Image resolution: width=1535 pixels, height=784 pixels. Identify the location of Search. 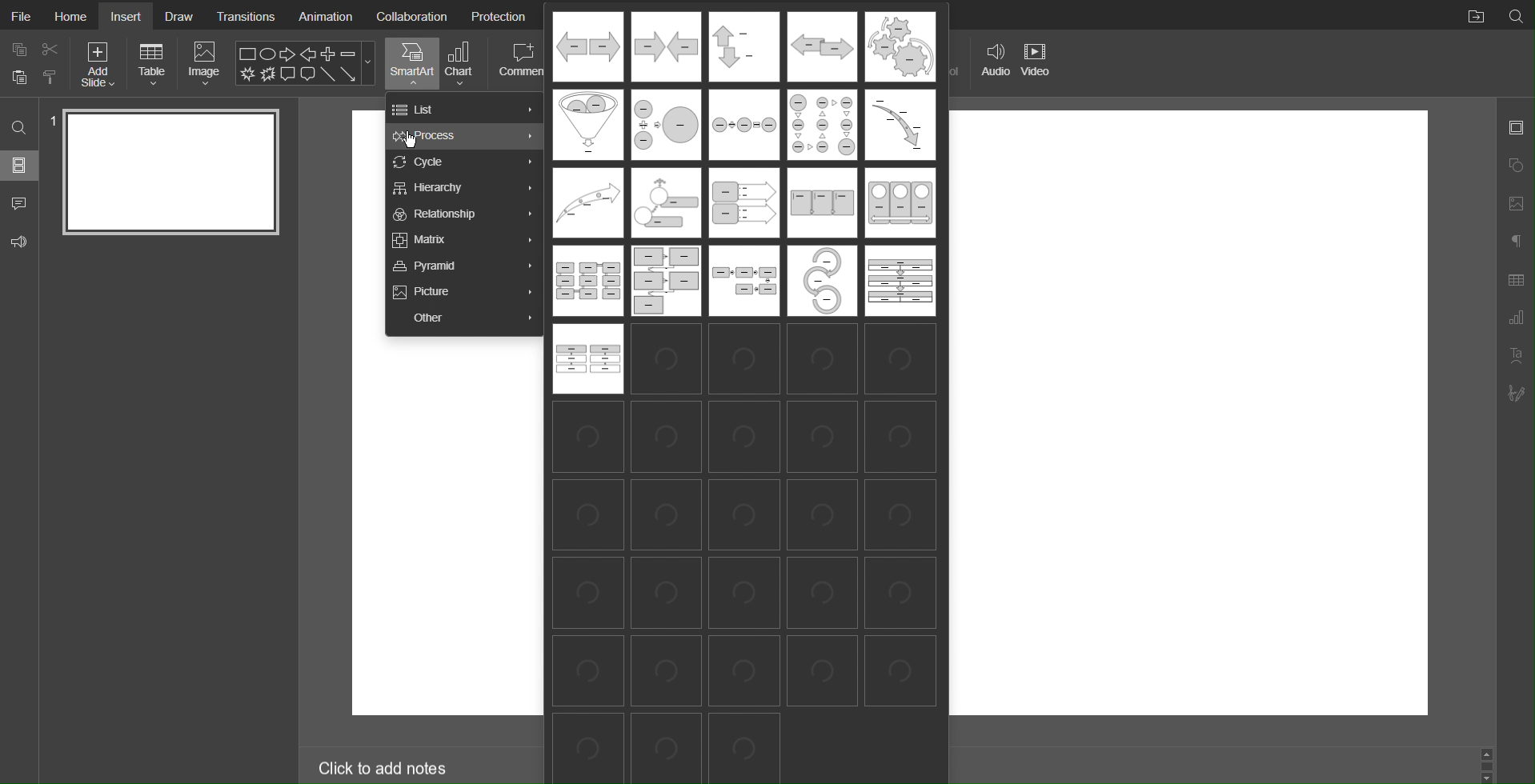
(1516, 15).